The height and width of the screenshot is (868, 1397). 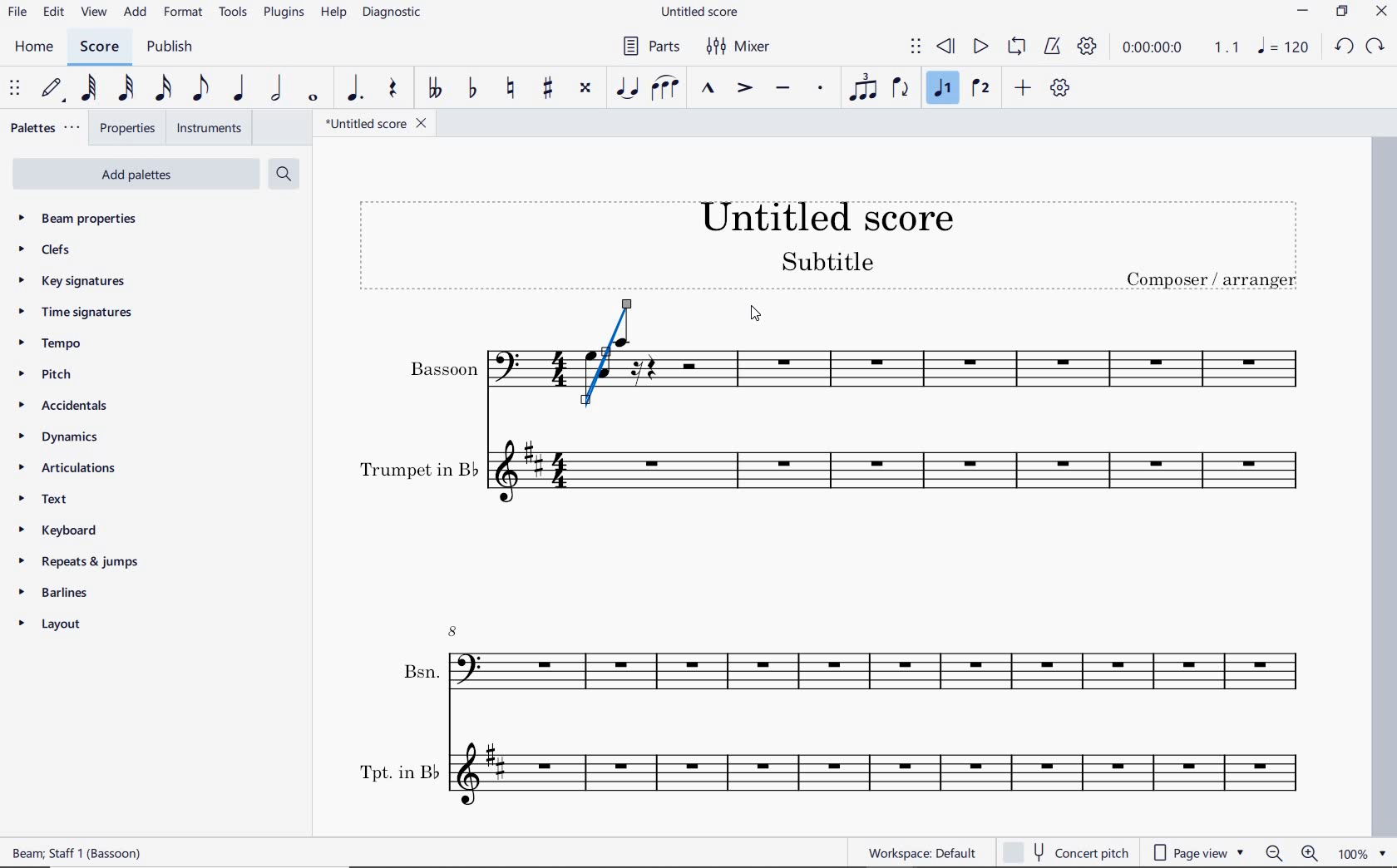 What do you see at coordinates (90, 89) in the screenshot?
I see `64th note` at bounding box center [90, 89].